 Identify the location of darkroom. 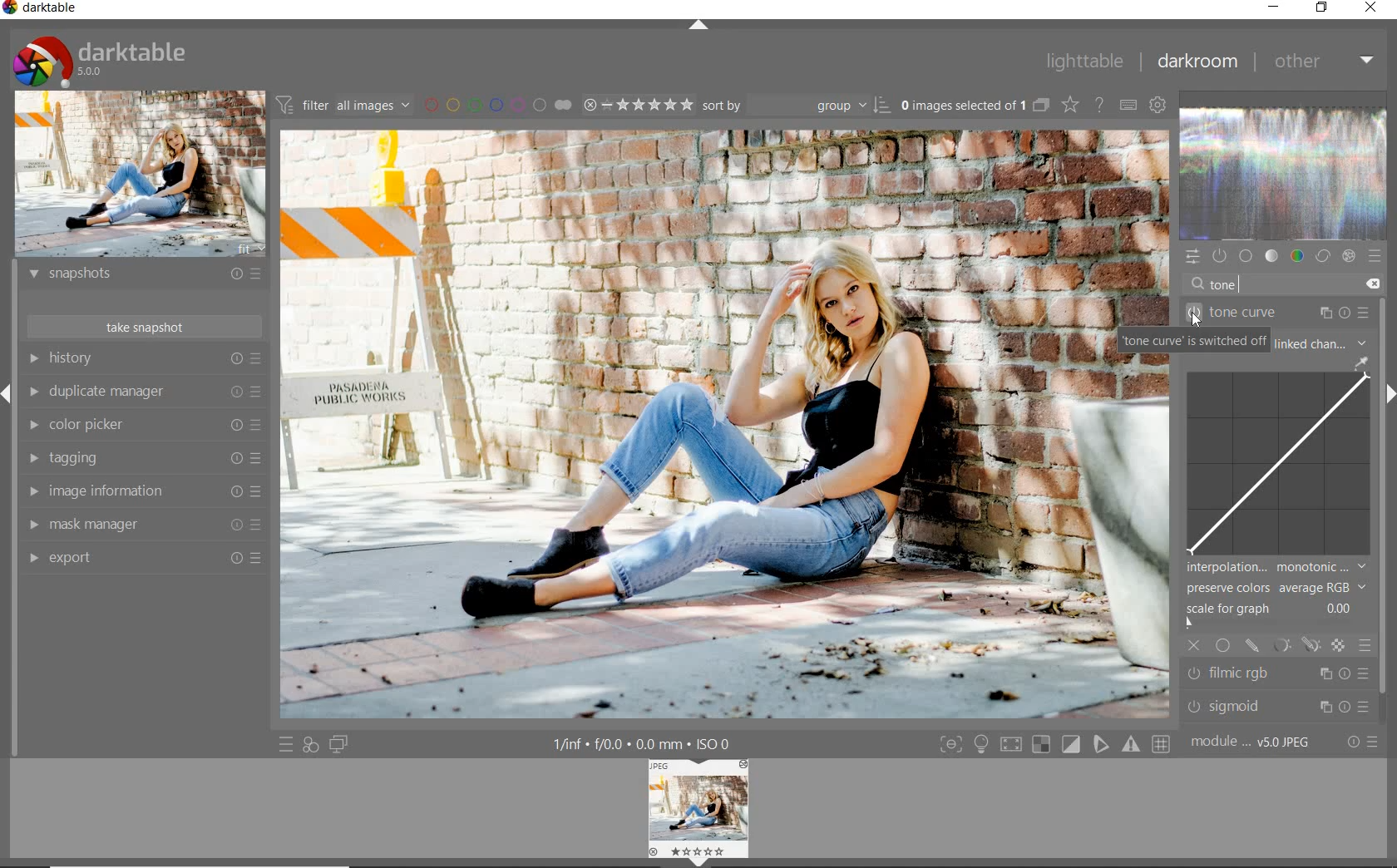
(1197, 62).